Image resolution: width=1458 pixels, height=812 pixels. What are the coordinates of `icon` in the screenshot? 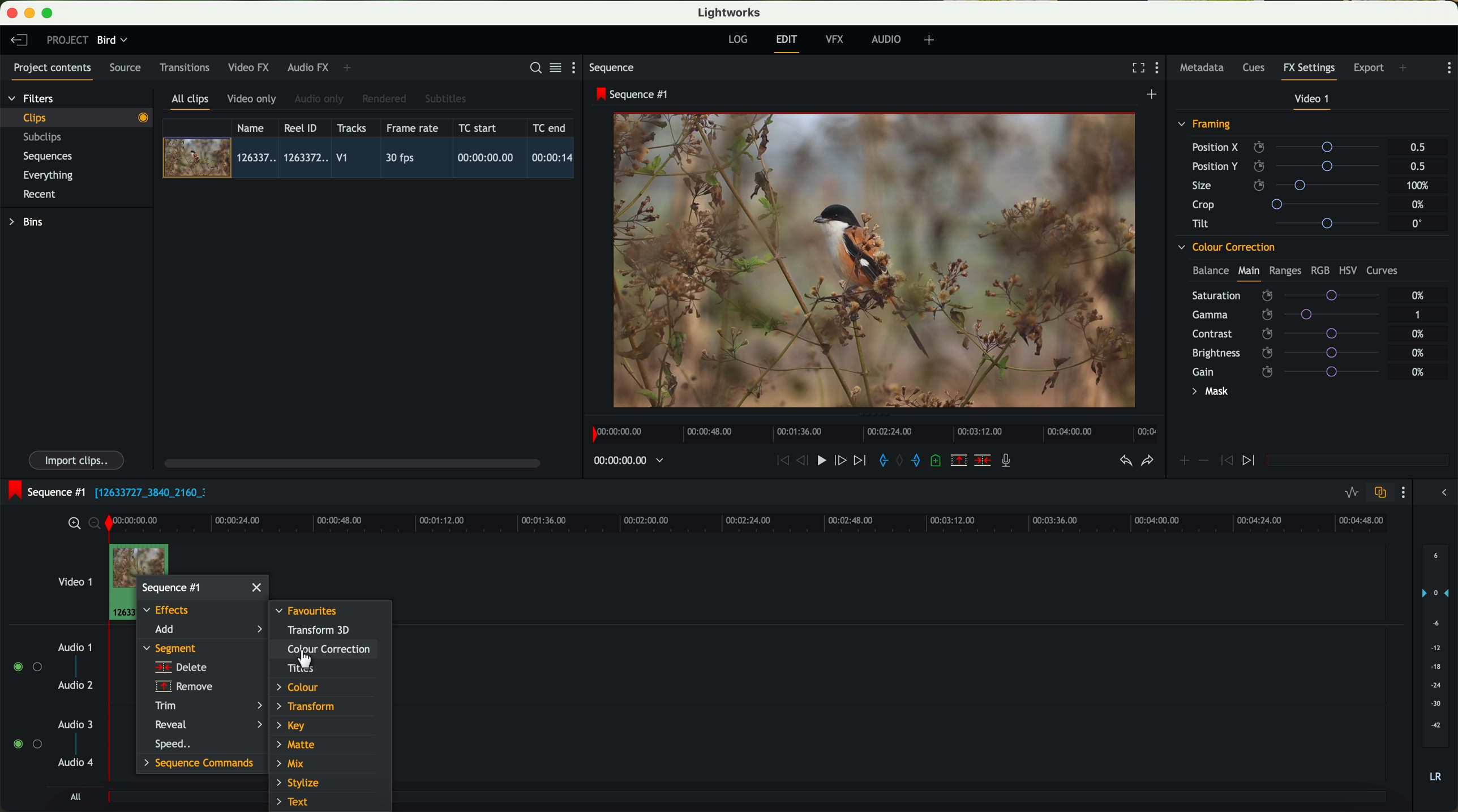 It's located at (1250, 461).